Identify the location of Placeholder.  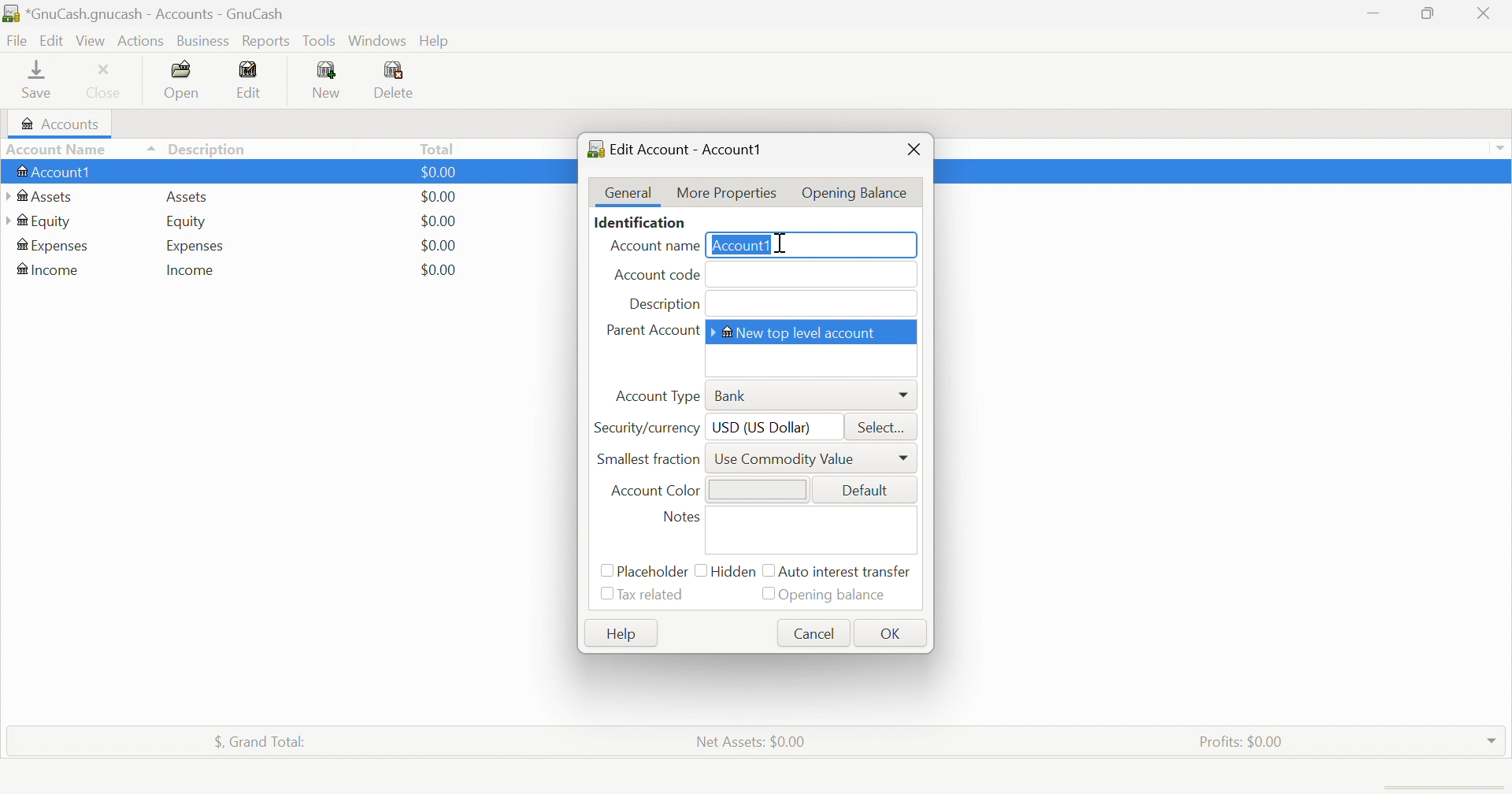
(642, 573).